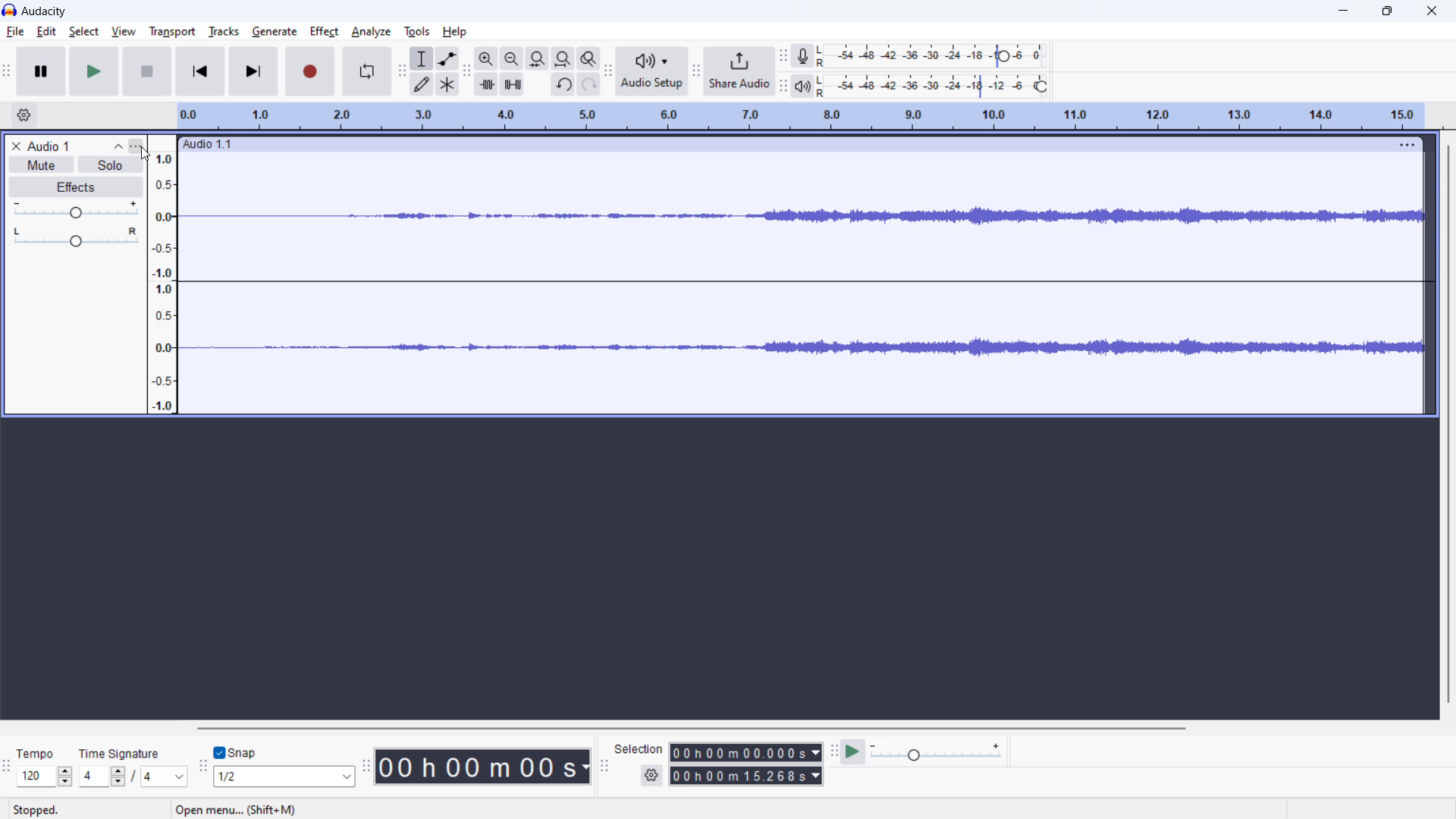 The height and width of the screenshot is (819, 1456). What do you see at coordinates (1404, 144) in the screenshot?
I see `view menu` at bounding box center [1404, 144].